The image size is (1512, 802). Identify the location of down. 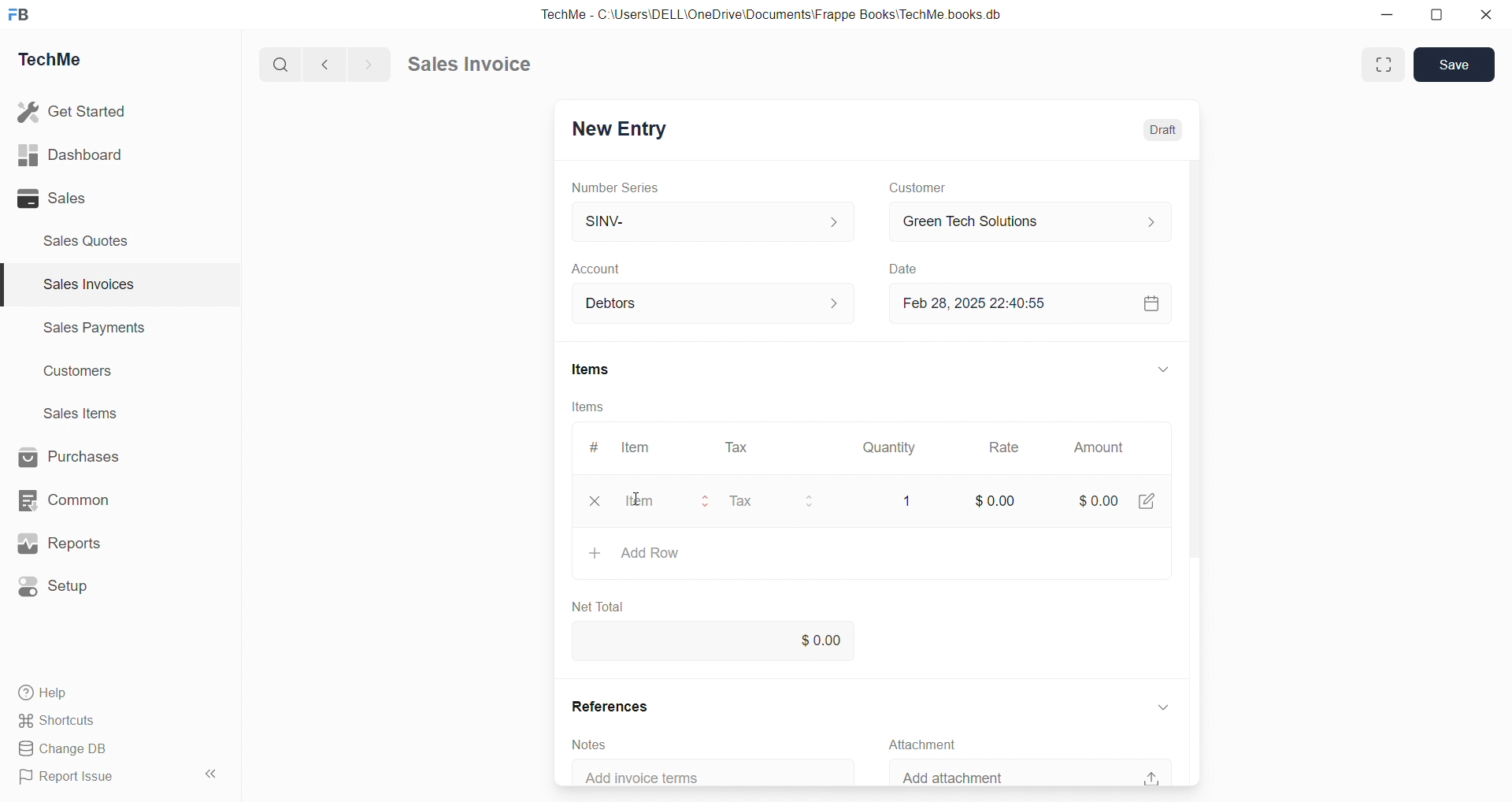
(1164, 369).